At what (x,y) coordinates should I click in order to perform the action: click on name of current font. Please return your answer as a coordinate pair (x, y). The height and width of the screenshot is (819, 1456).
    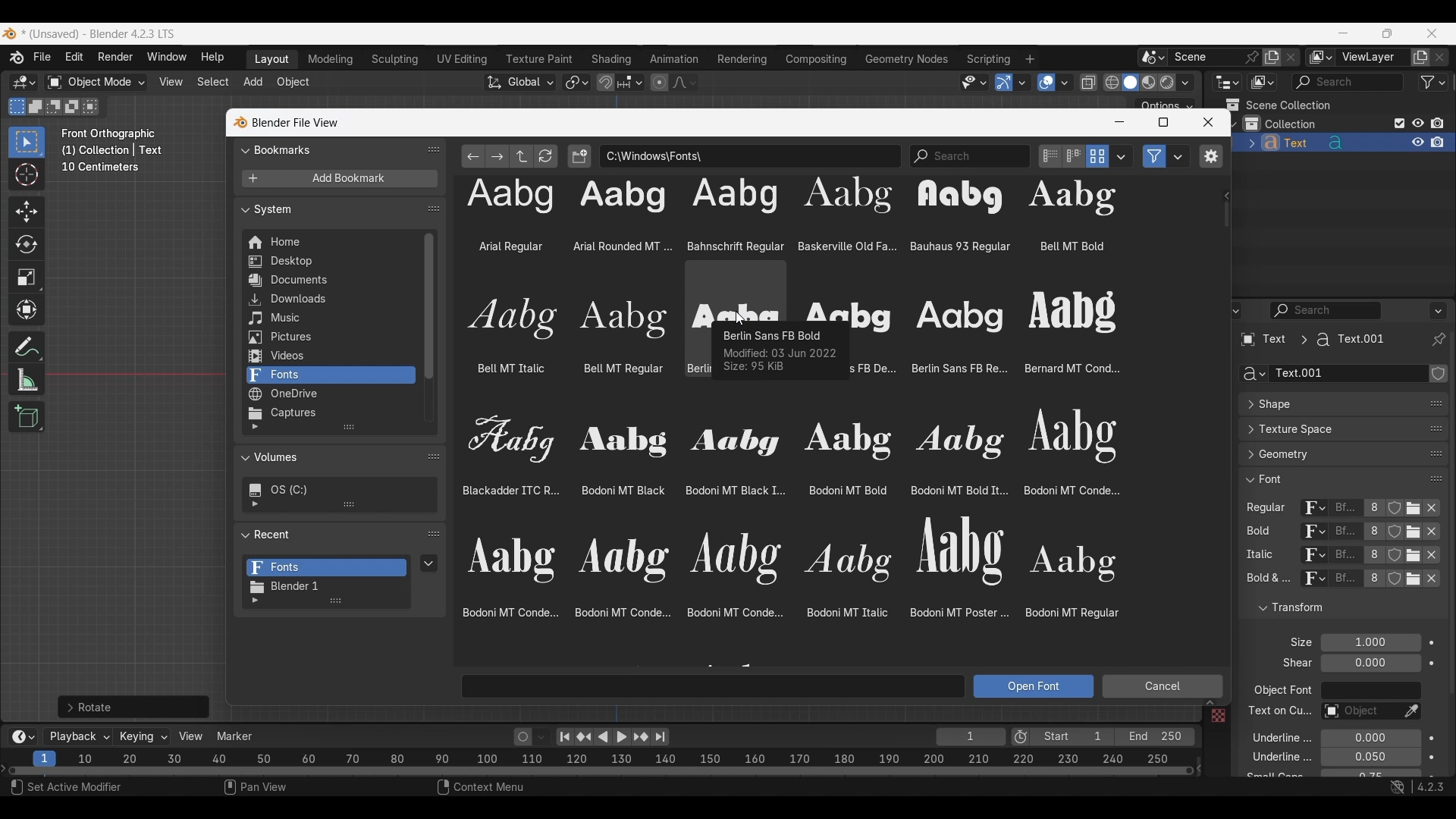
    Looking at the image, I should click on (1345, 532).